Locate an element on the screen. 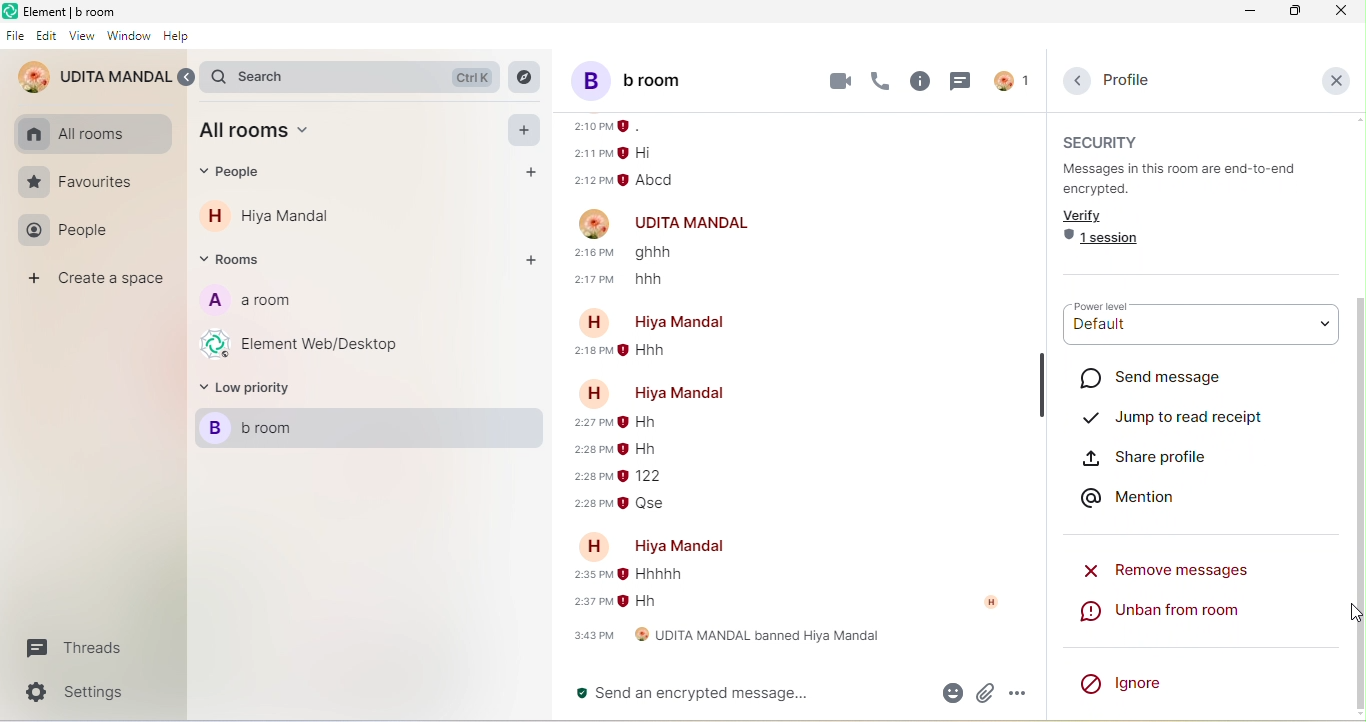 This screenshot has width=1366, height=722. mention is located at coordinates (1137, 496).